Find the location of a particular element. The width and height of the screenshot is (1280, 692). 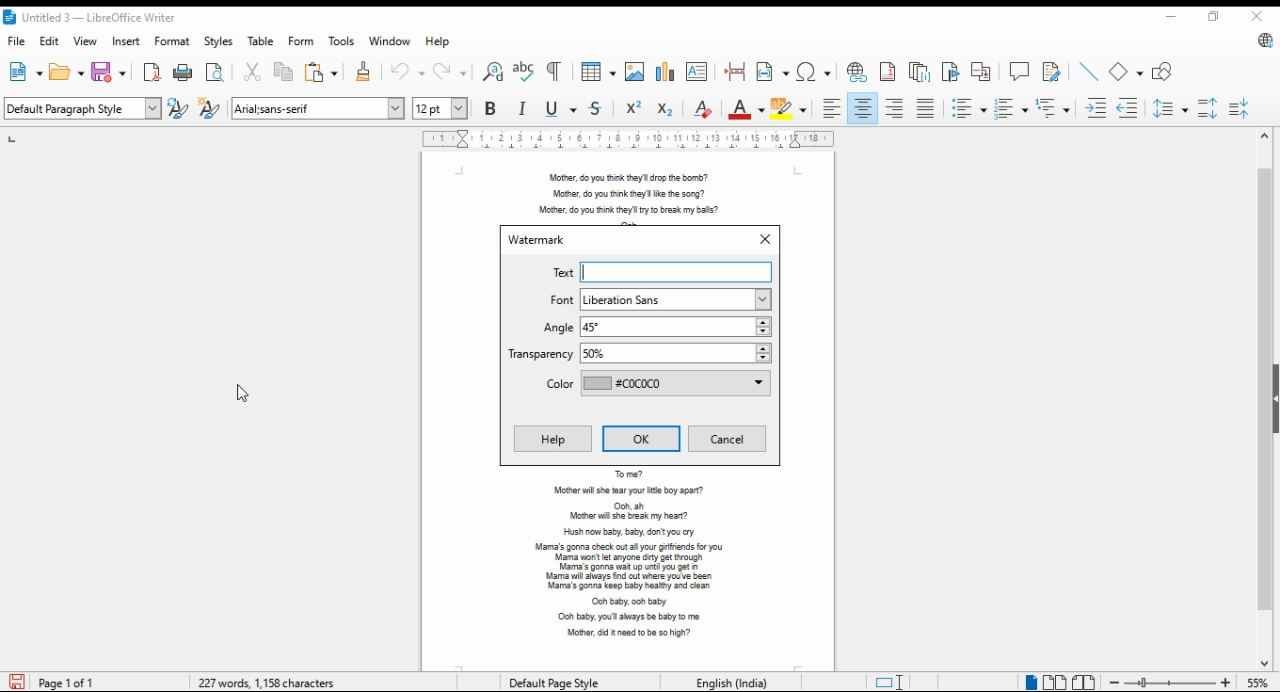

cut is located at coordinates (254, 71).